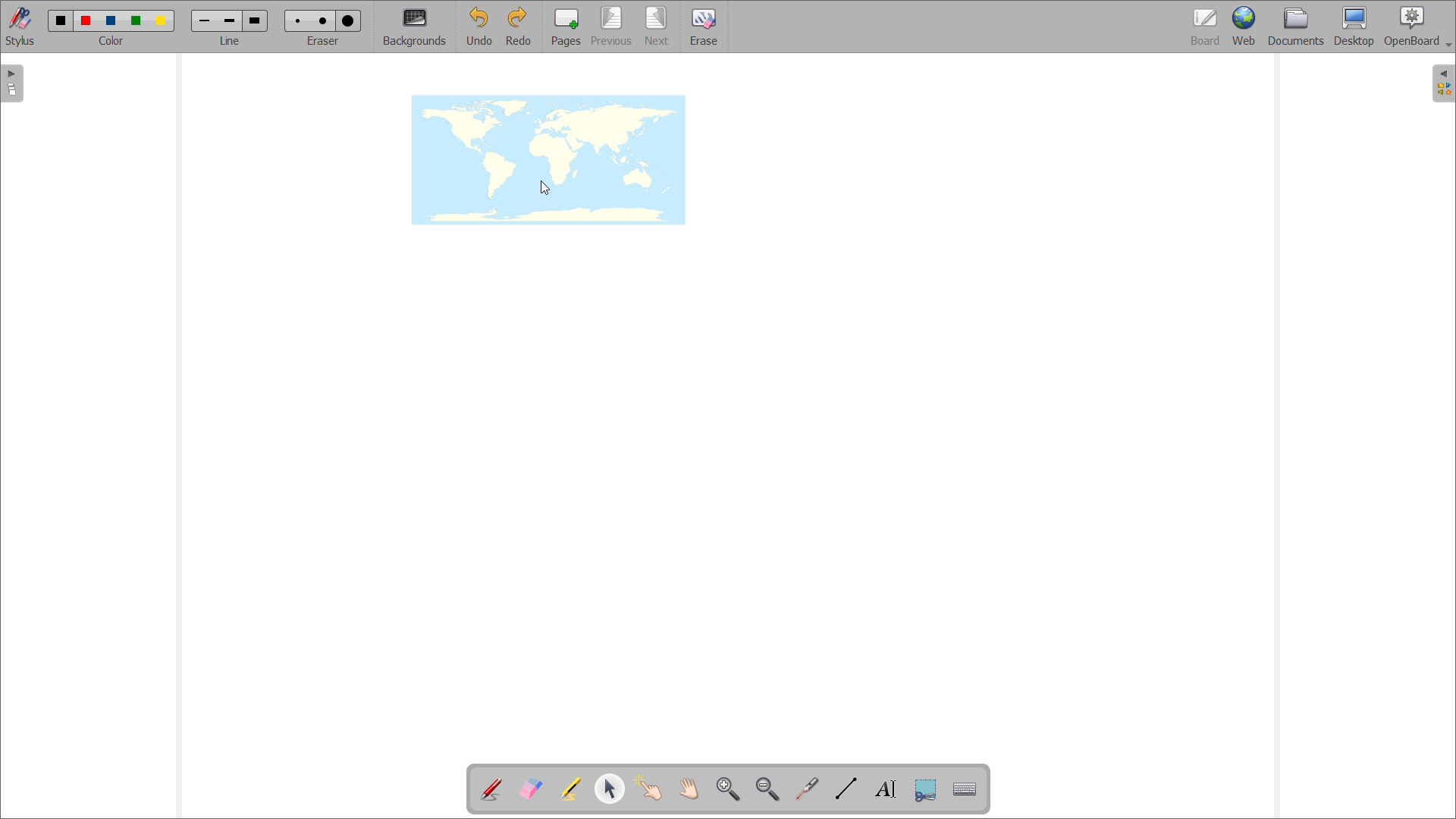 Image resolution: width=1456 pixels, height=819 pixels. I want to click on undo, so click(478, 26).